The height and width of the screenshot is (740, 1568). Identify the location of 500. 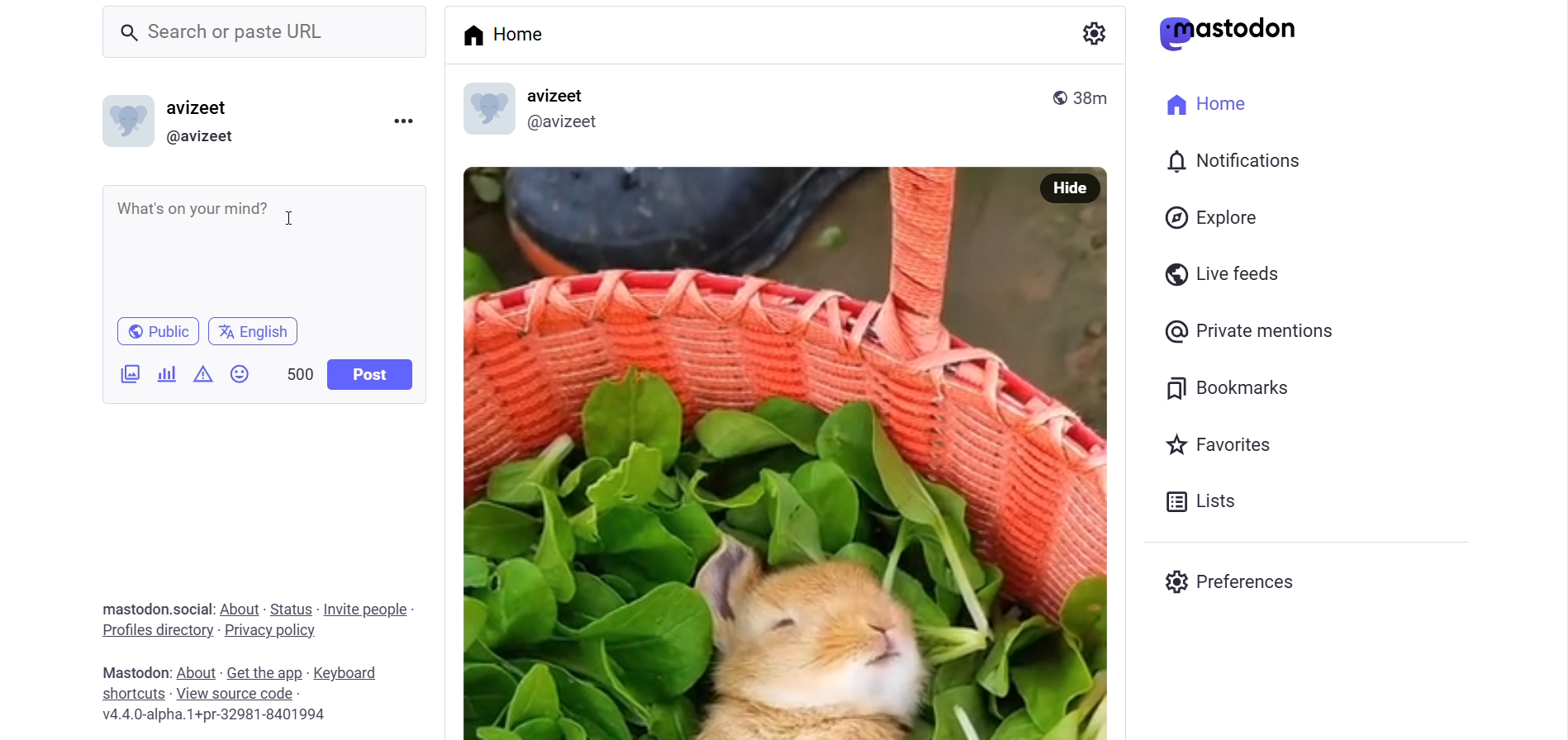
(294, 374).